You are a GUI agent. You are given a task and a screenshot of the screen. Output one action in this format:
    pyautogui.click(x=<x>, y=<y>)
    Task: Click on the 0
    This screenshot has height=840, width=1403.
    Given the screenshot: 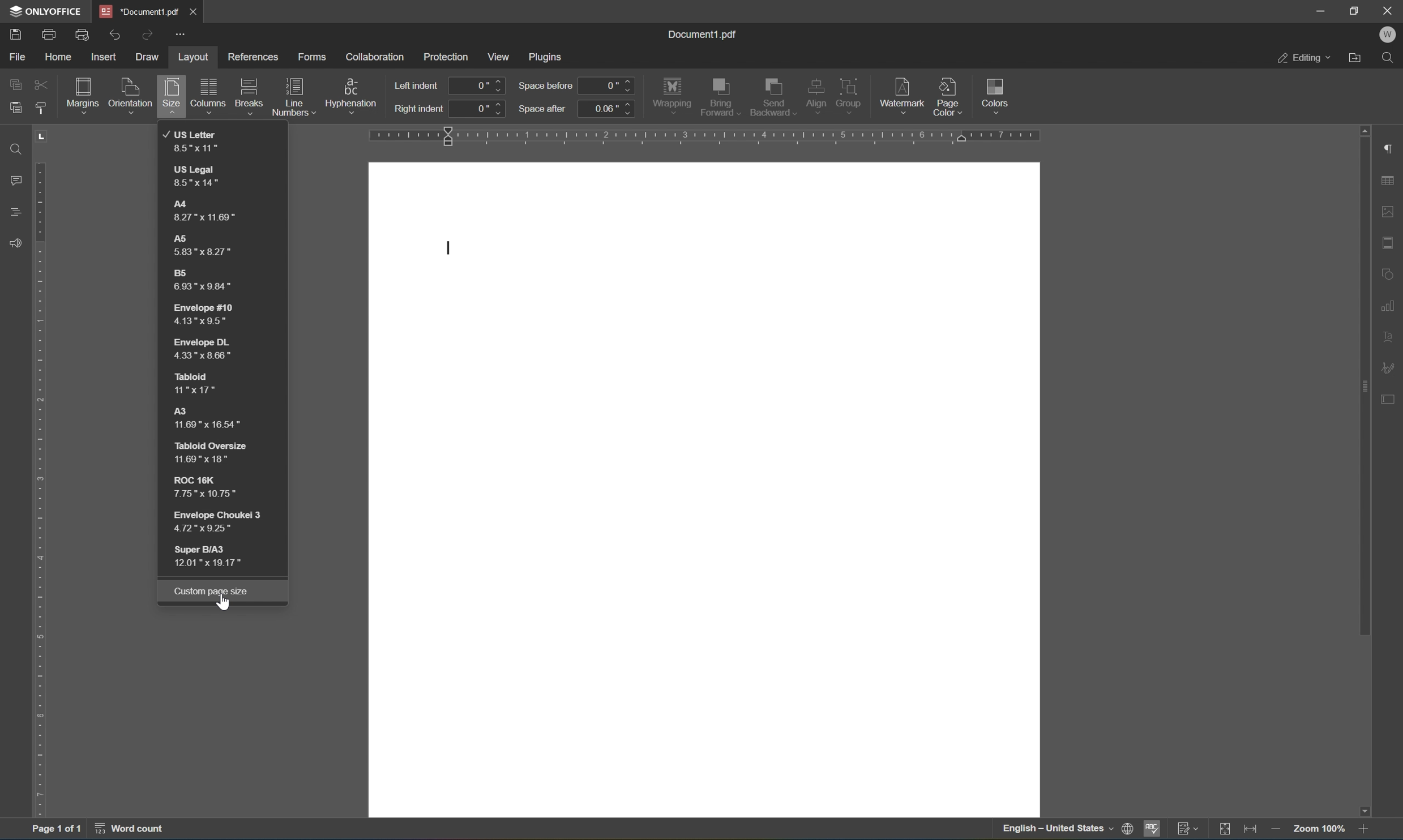 What is the action you would take?
    pyautogui.click(x=478, y=85)
    